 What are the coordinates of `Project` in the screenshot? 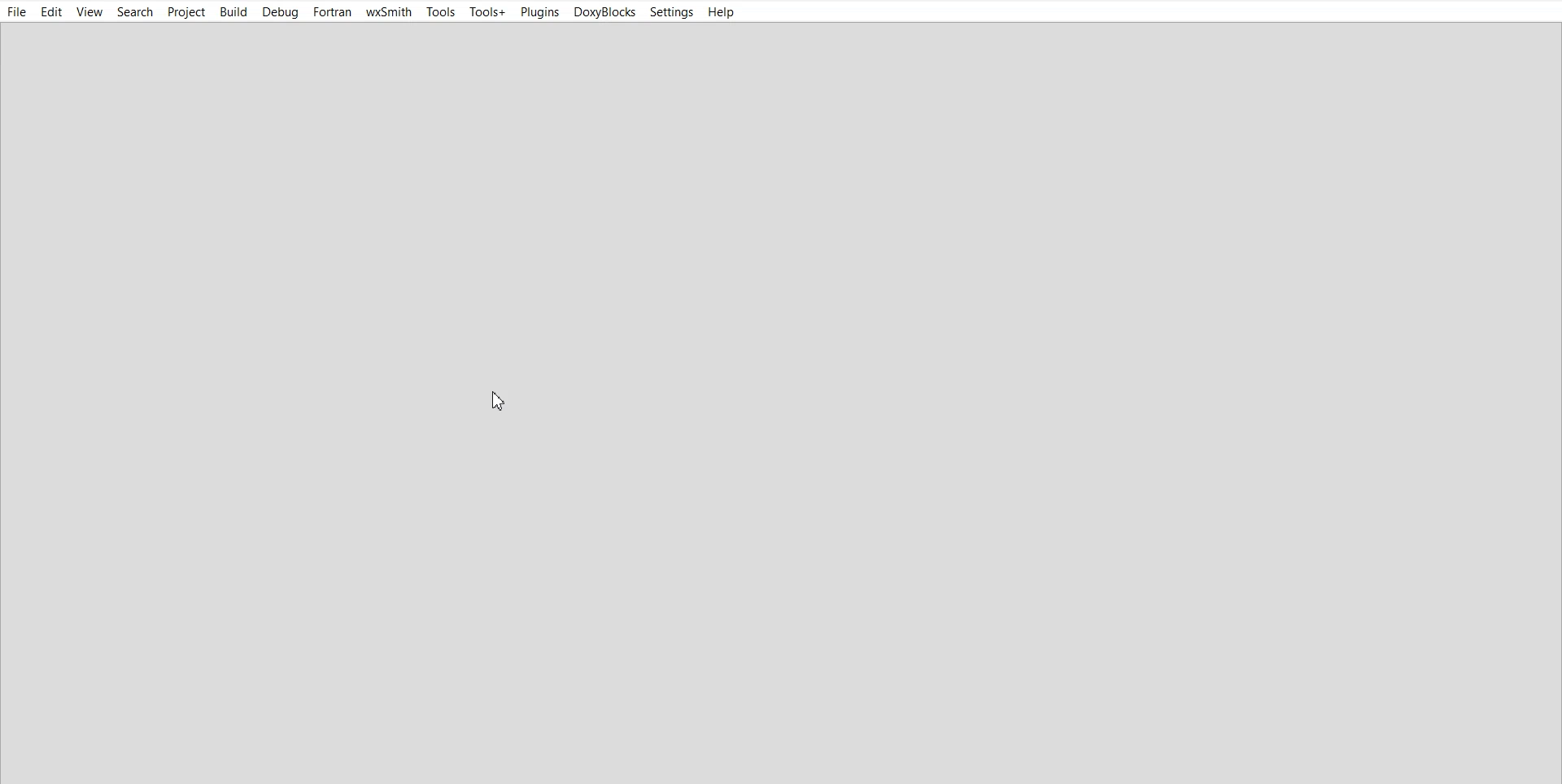 It's located at (185, 11).